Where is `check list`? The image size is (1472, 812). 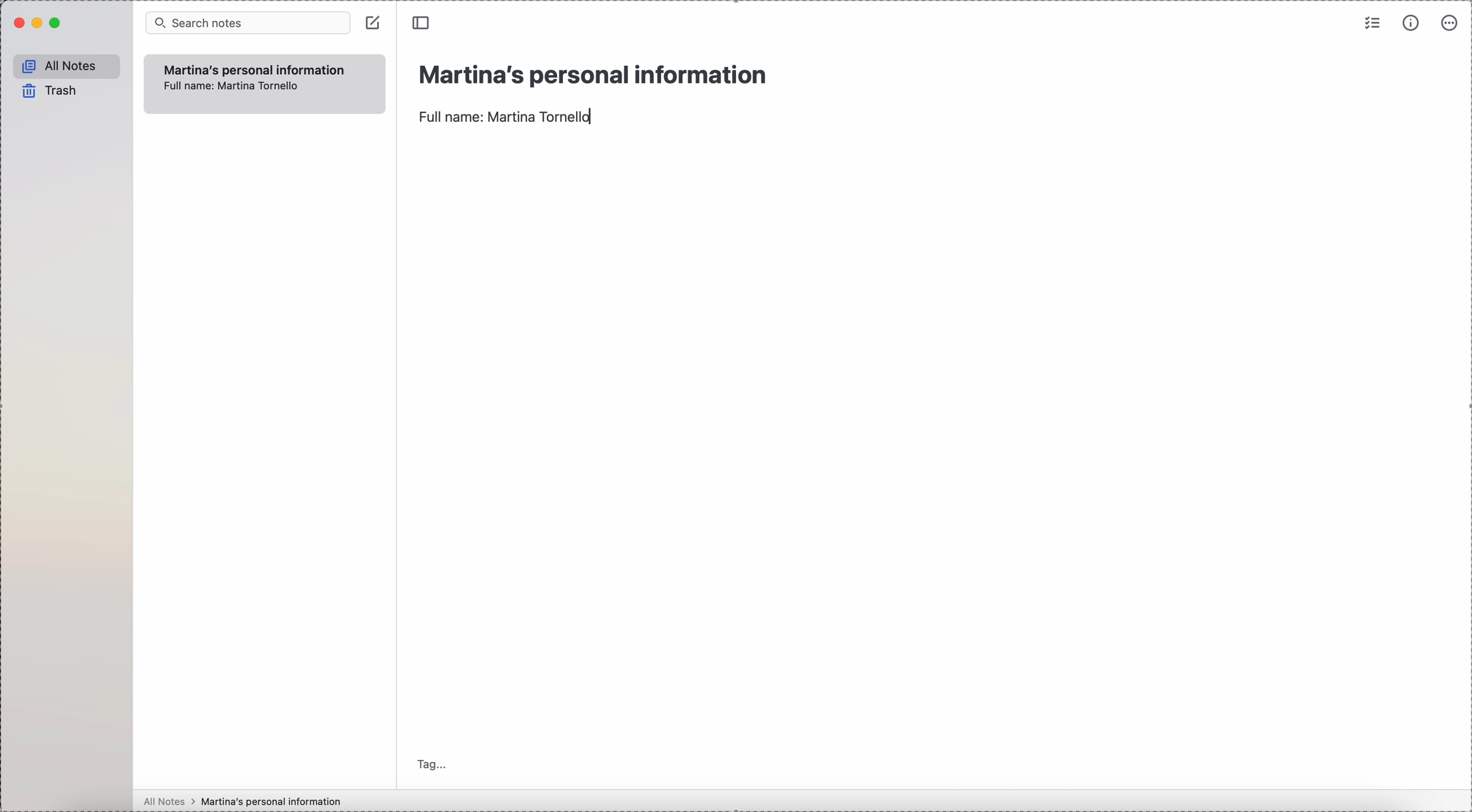 check list is located at coordinates (1371, 25).